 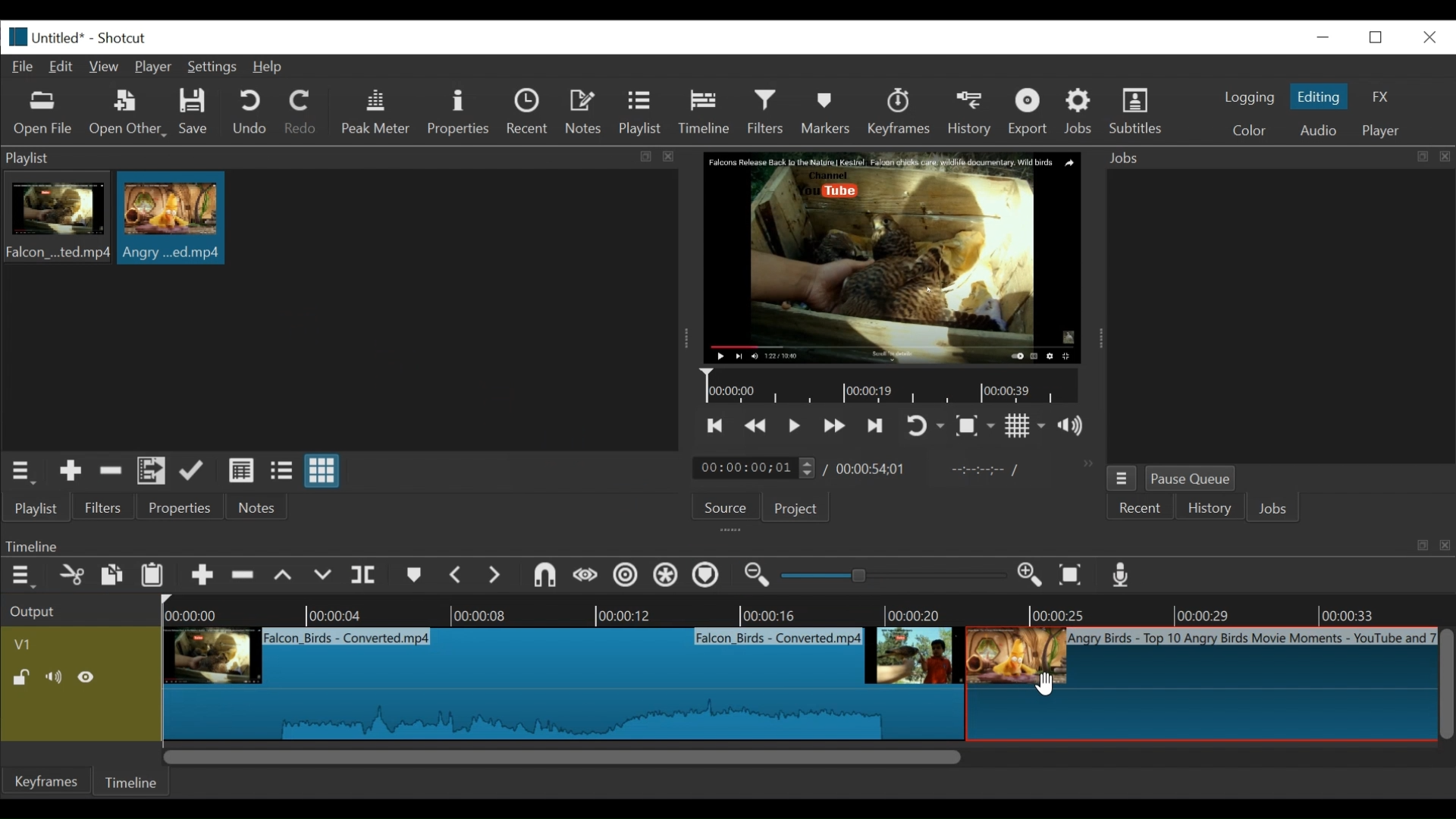 I want to click on clip, so click(x=171, y=218).